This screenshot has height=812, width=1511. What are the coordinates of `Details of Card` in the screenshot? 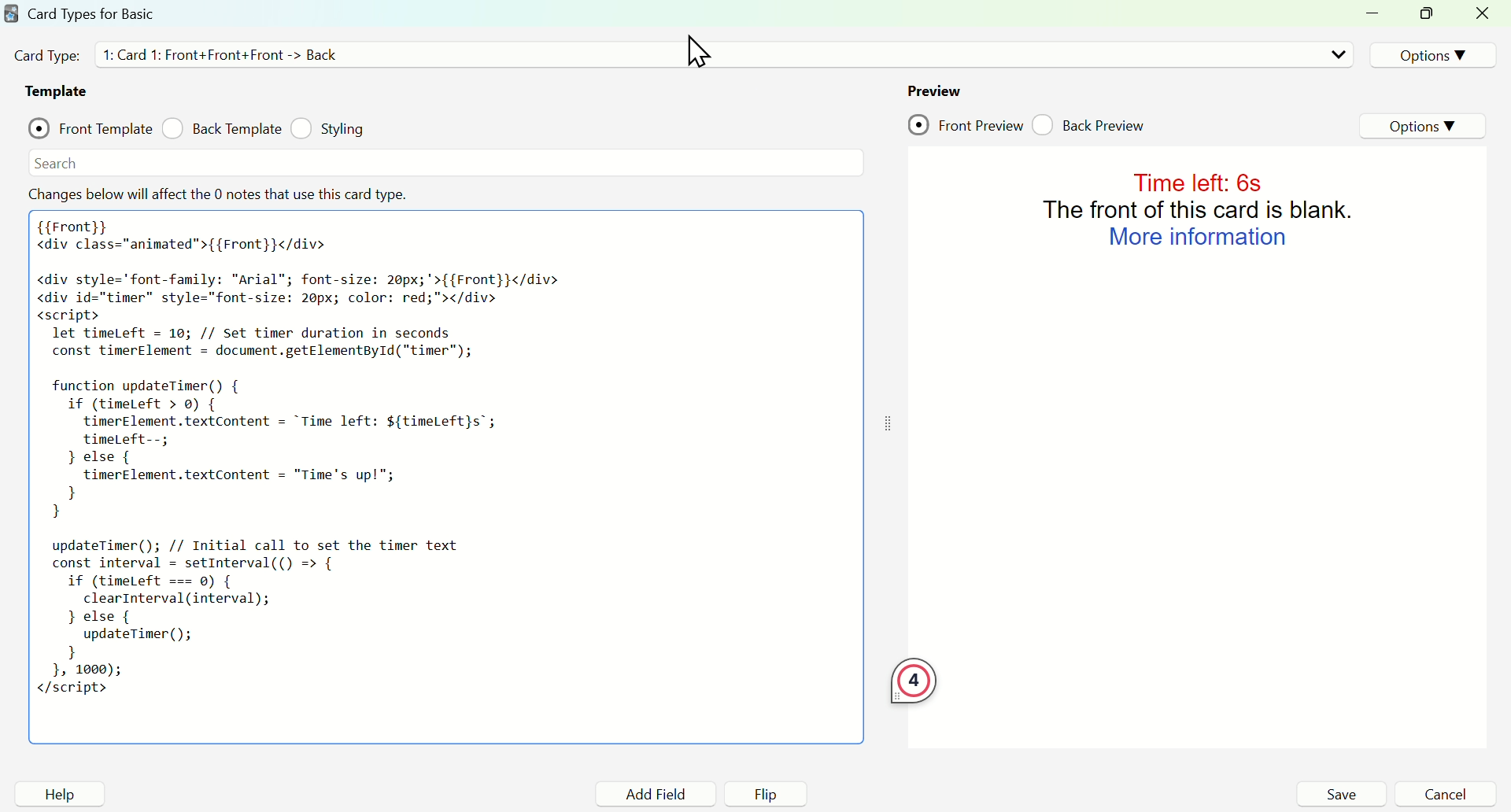 It's located at (227, 54).